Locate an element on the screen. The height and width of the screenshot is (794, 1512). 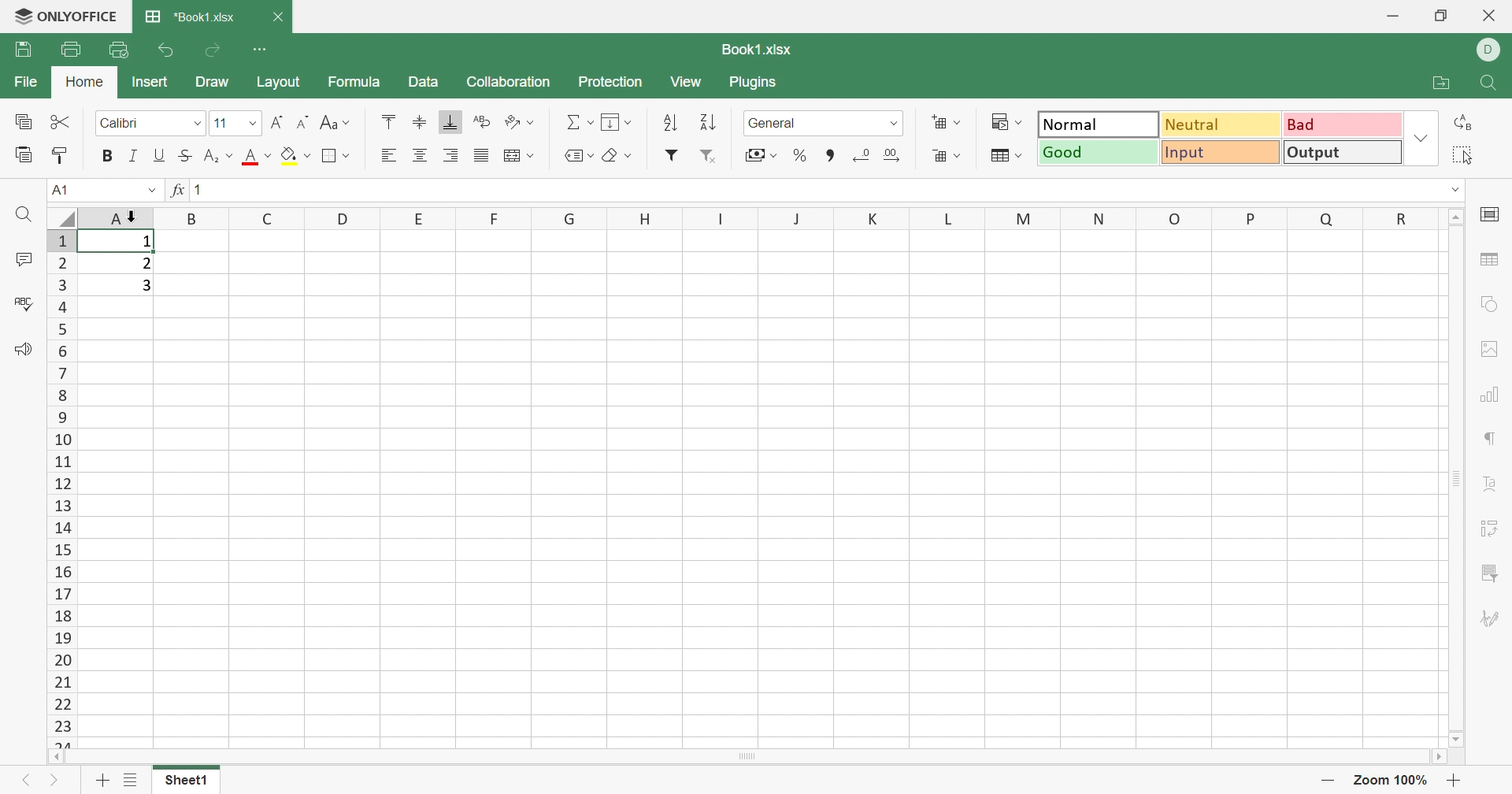
Remove filter is located at coordinates (711, 158).